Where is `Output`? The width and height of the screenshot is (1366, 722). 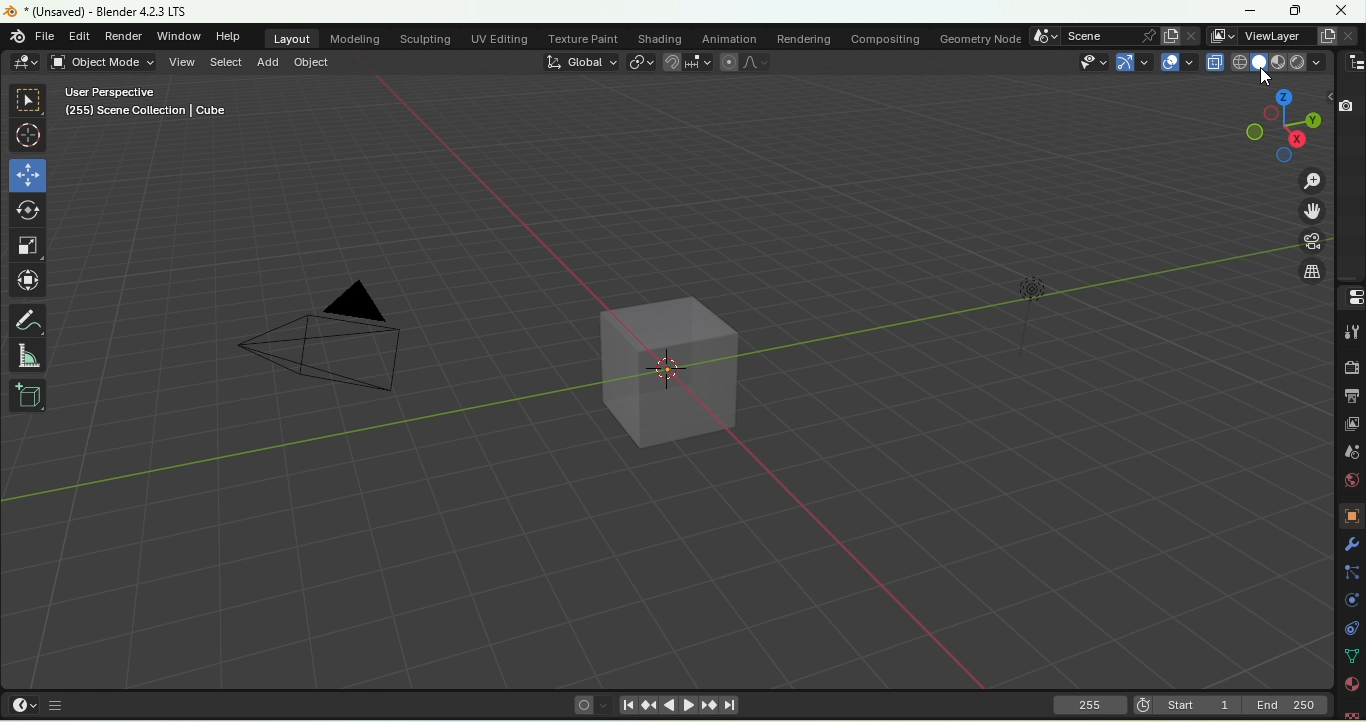 Output is located at coordinates (1350, 395).